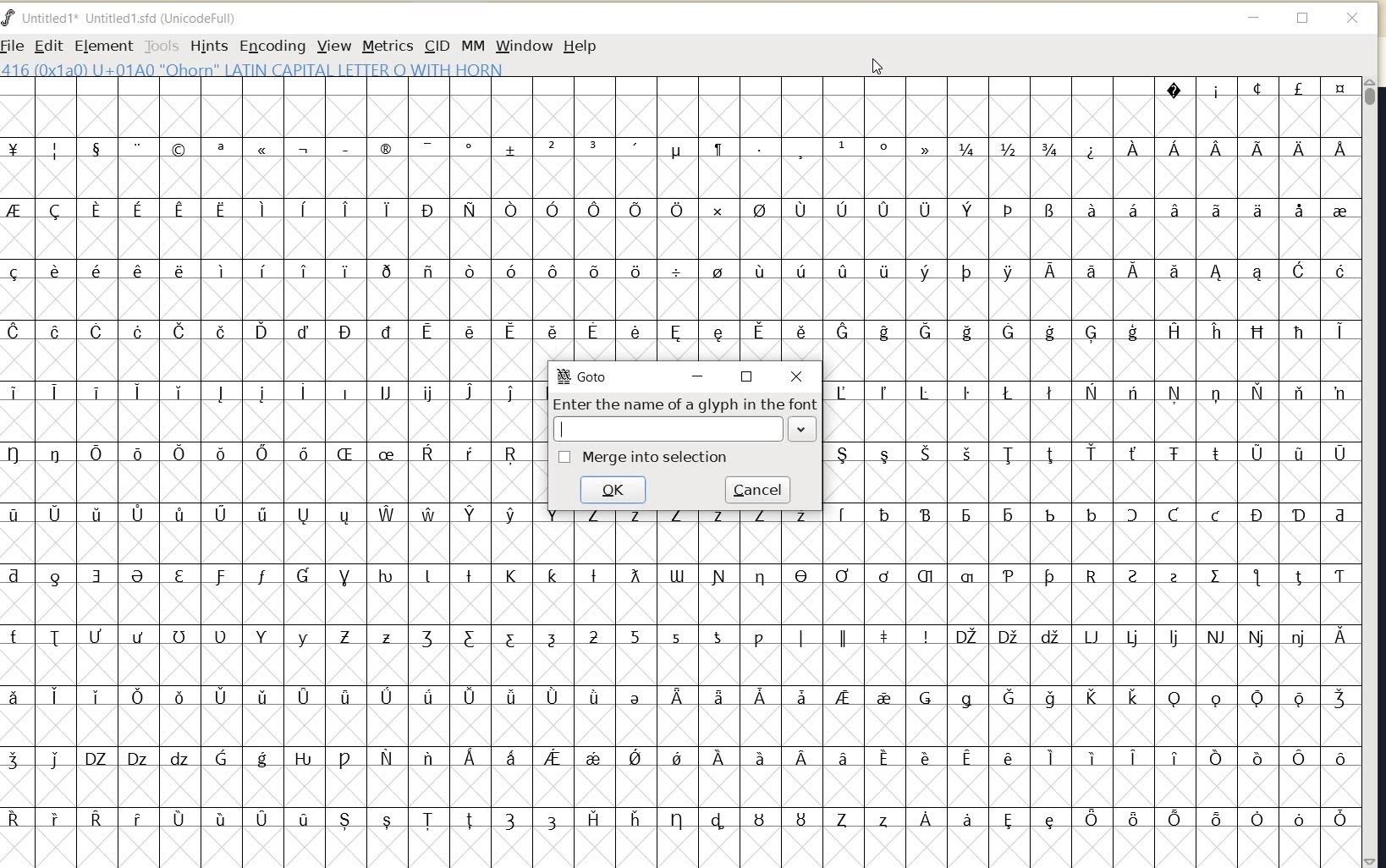 Image resolution: width=1386 pixels, height=868 pixels. Describe the element at coordinates (751, 375) in the screenshot. I see `restore` at that location.